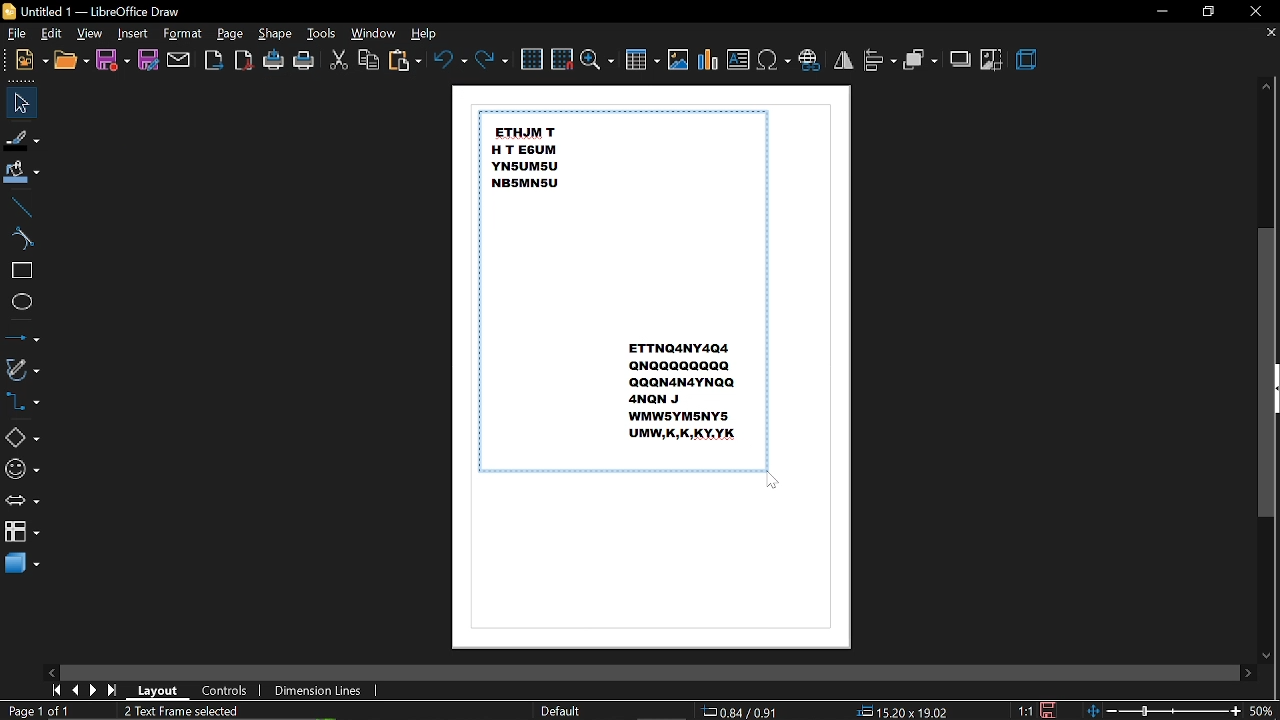 The height and width of the screenshot is (720, 1280). What do you see at coordinates (56, 691) in the screenshot?
I see `go to first page` at bounding box center [56, 691].